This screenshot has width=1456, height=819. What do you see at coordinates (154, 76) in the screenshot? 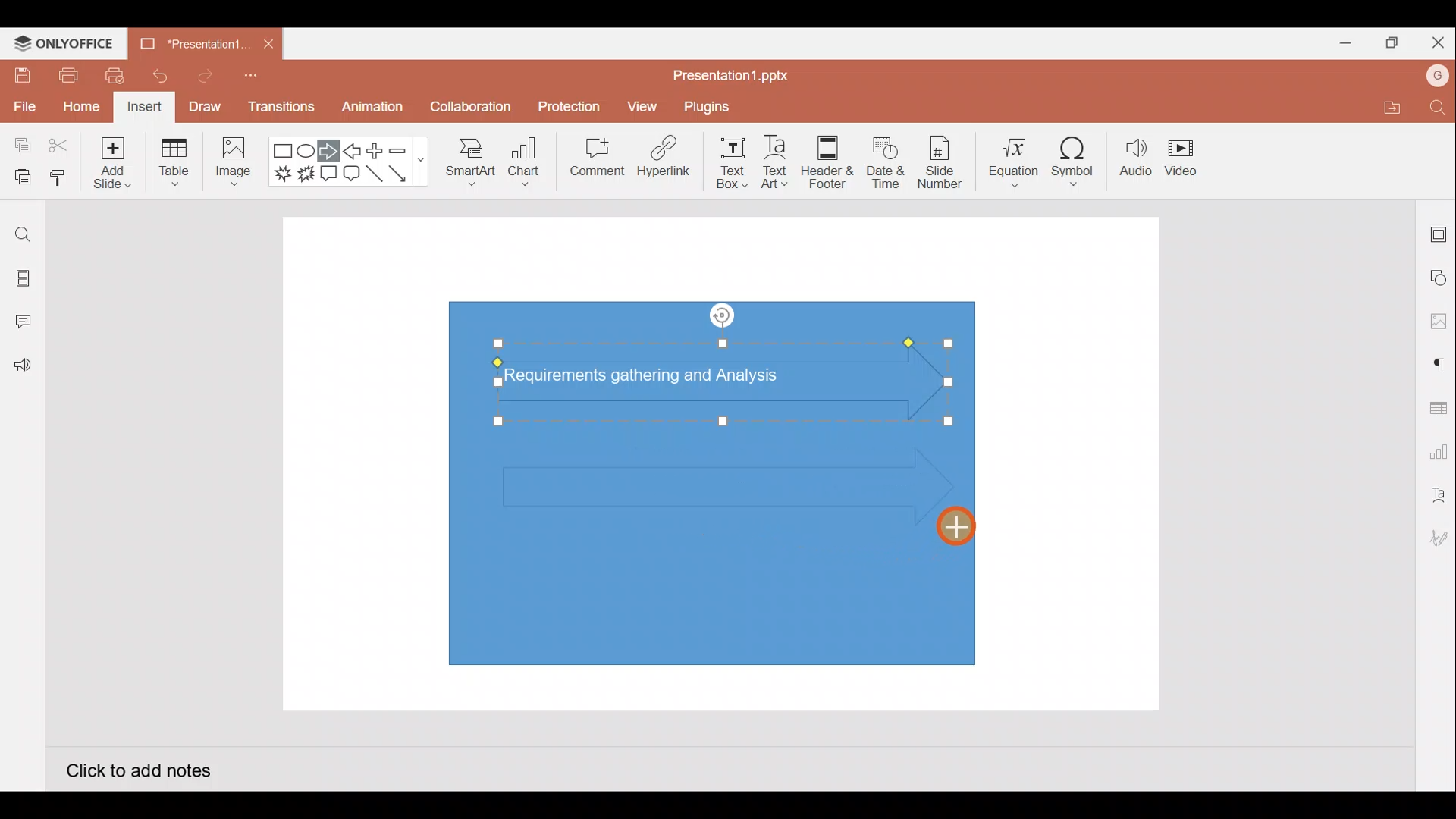
I see `Undo` at bounding box center [154, 76].